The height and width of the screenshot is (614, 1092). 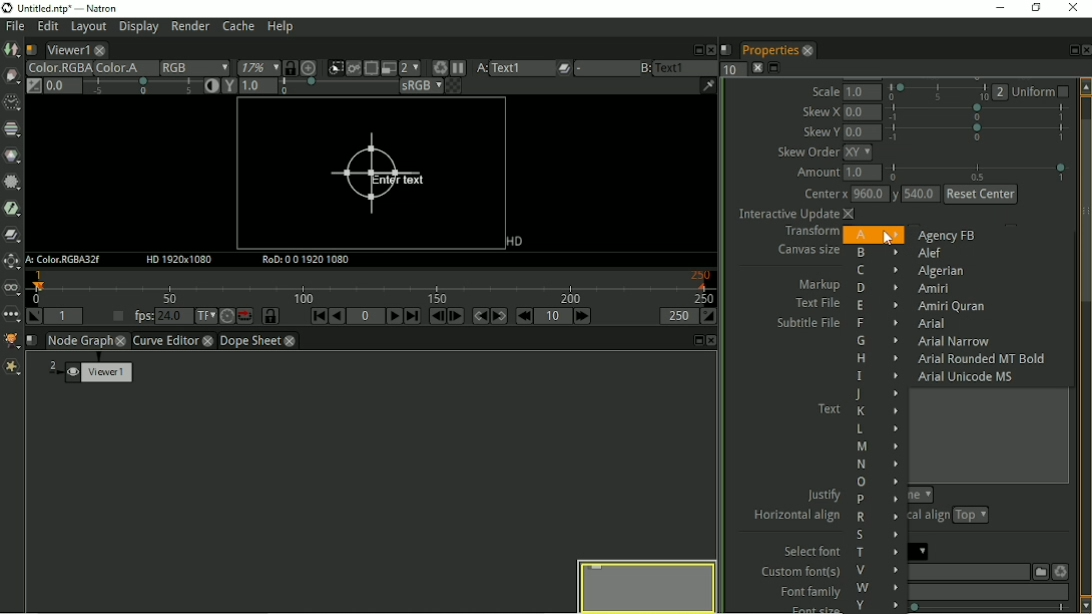 What do you see at coordinates (872, 234) in the screenshot?
I see `A` at bounding box center [872, 234].